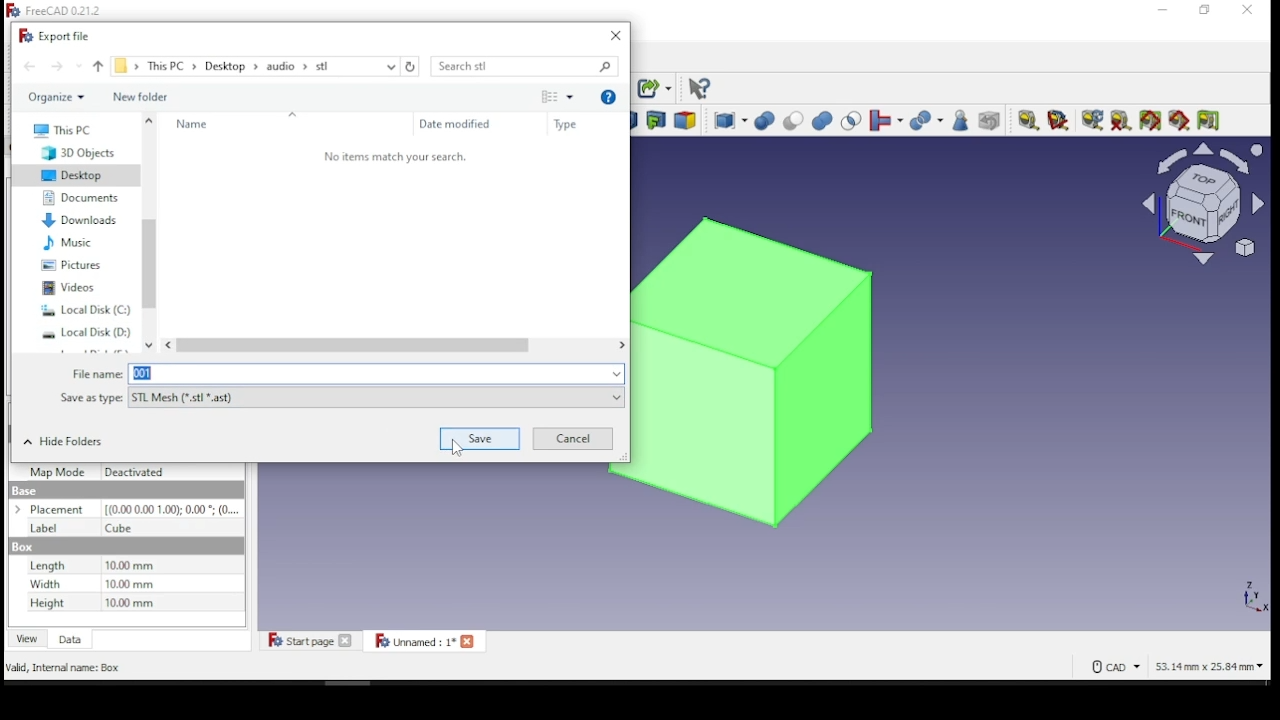 The height and width of the screenshot is (720, 1280). What do you see at coordinates (63, 63) in the screenshot?
I see `forward` at bounding box center [63, 63].